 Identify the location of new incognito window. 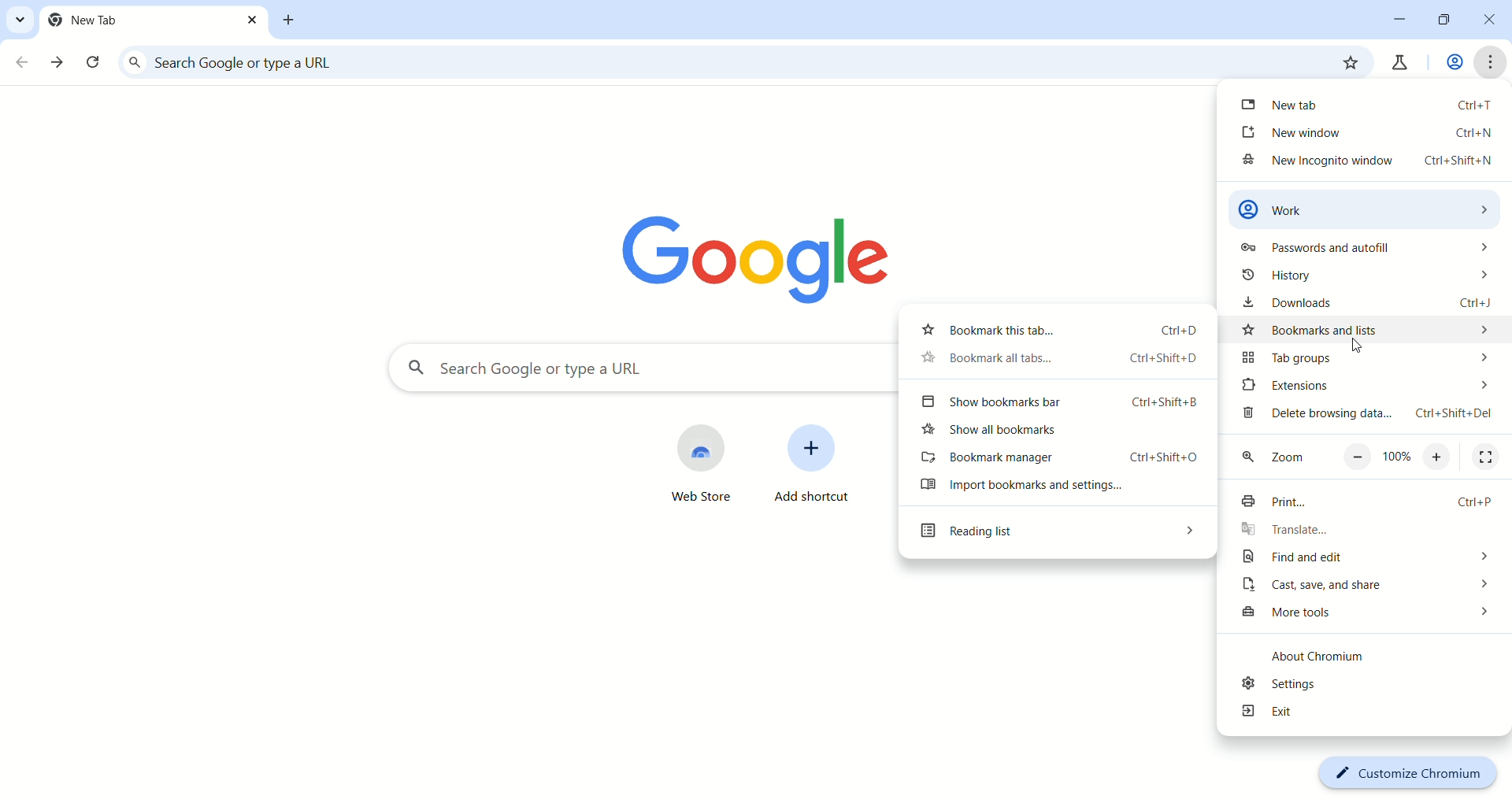
(1365, 164).